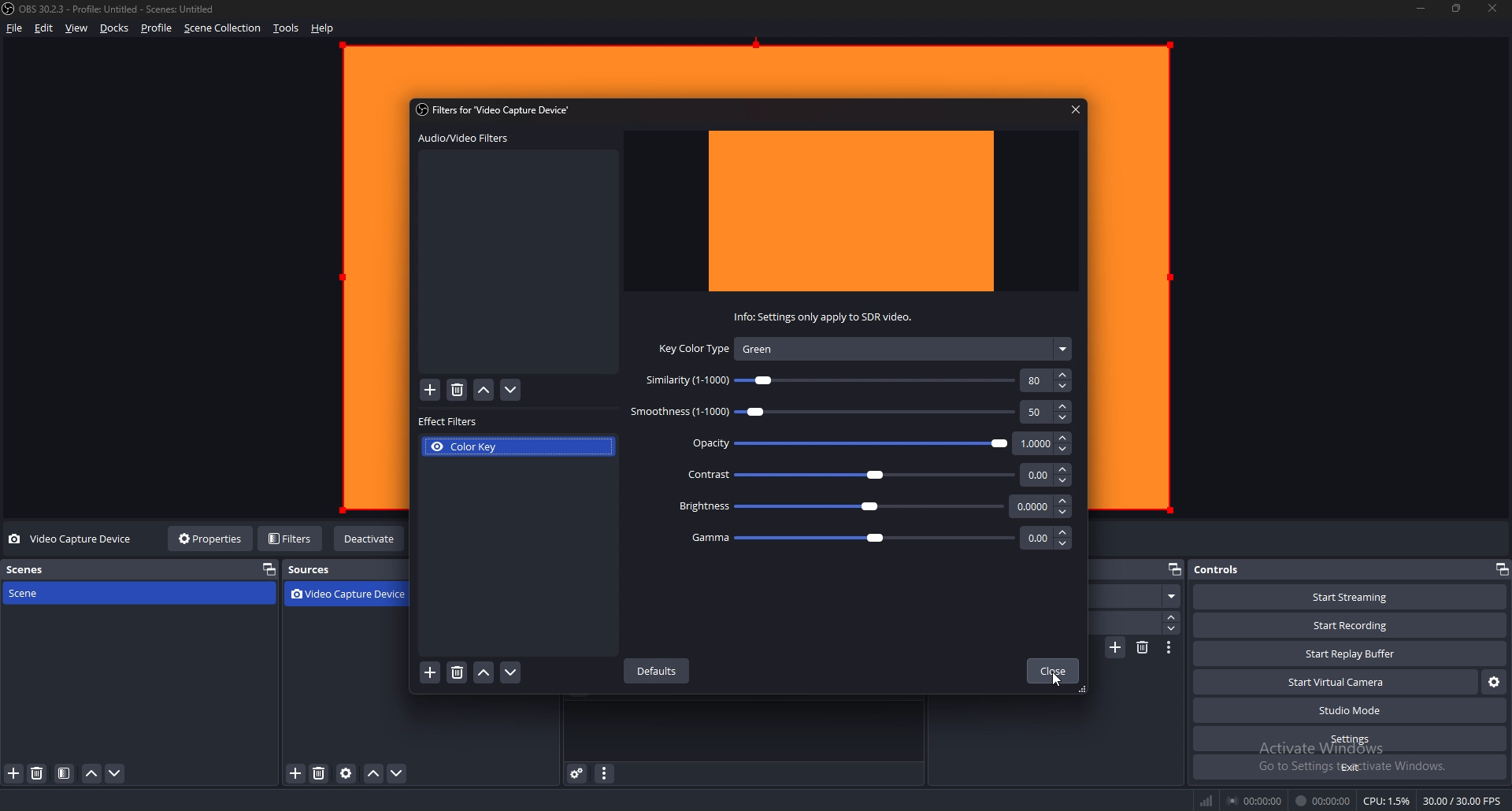  I want to click on docks, so click(115, 28).